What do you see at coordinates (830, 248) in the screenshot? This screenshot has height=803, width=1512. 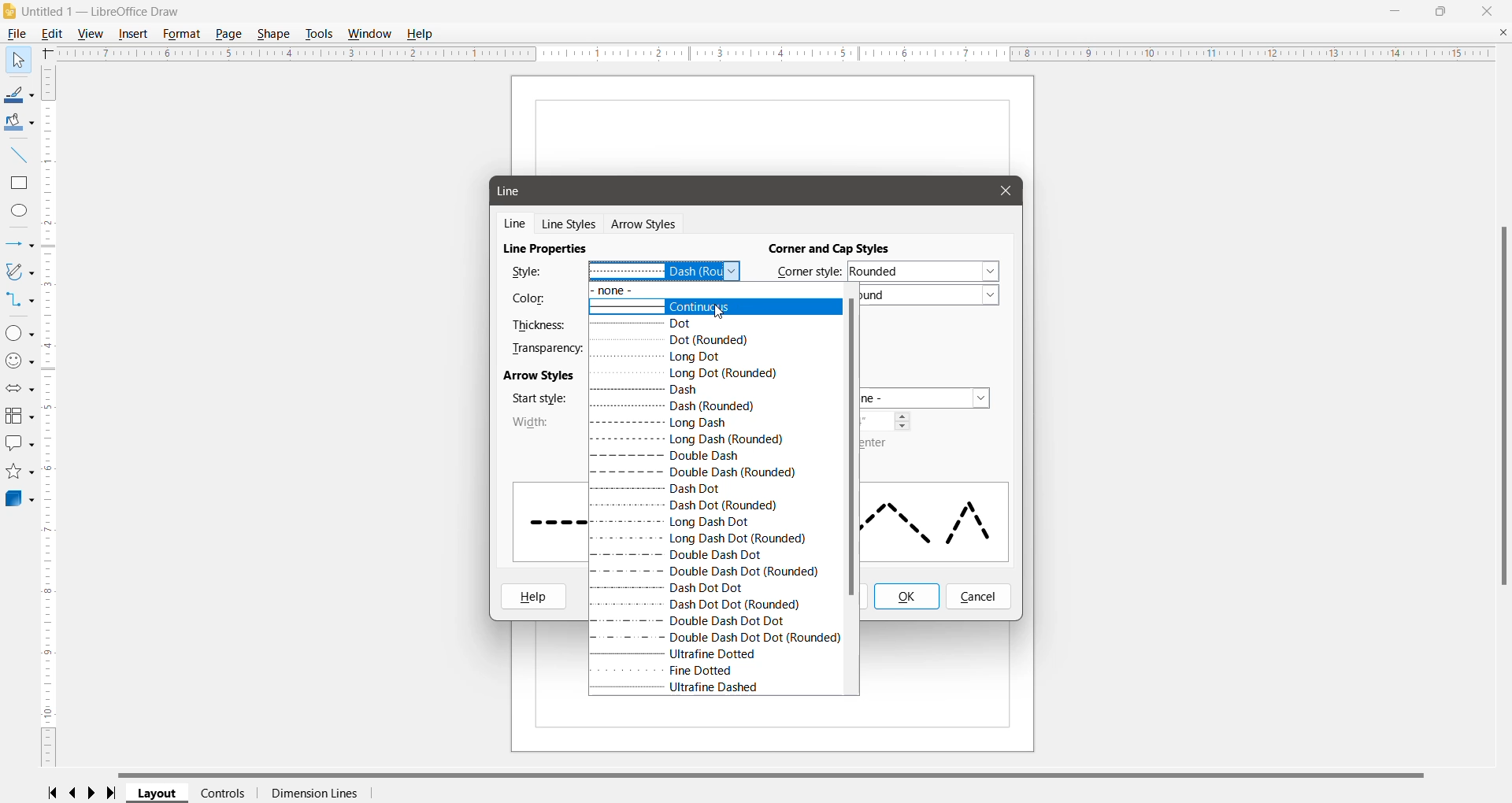 I see `Corner and Cap Styles` at bounding box center [830, 248].